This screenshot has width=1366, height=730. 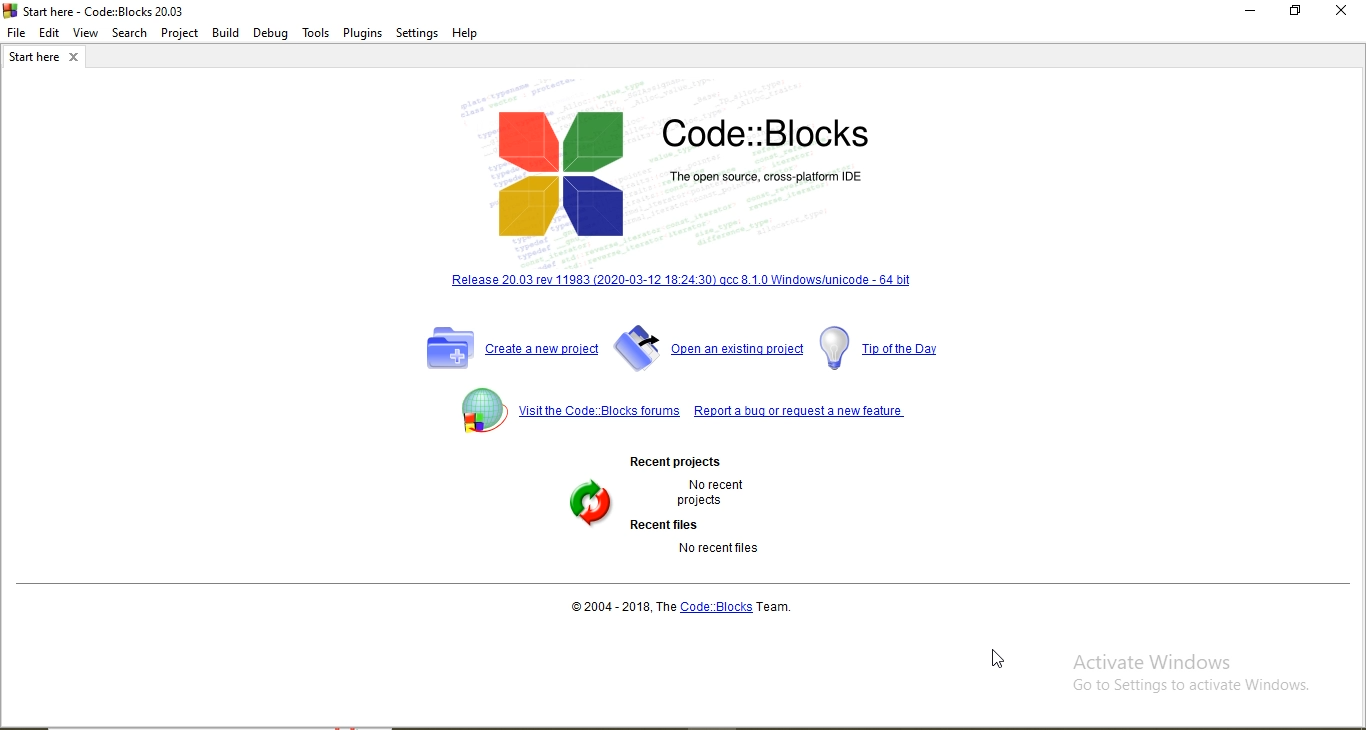 I want to click on Code:: Blocks image, so click(x=680, y=176).